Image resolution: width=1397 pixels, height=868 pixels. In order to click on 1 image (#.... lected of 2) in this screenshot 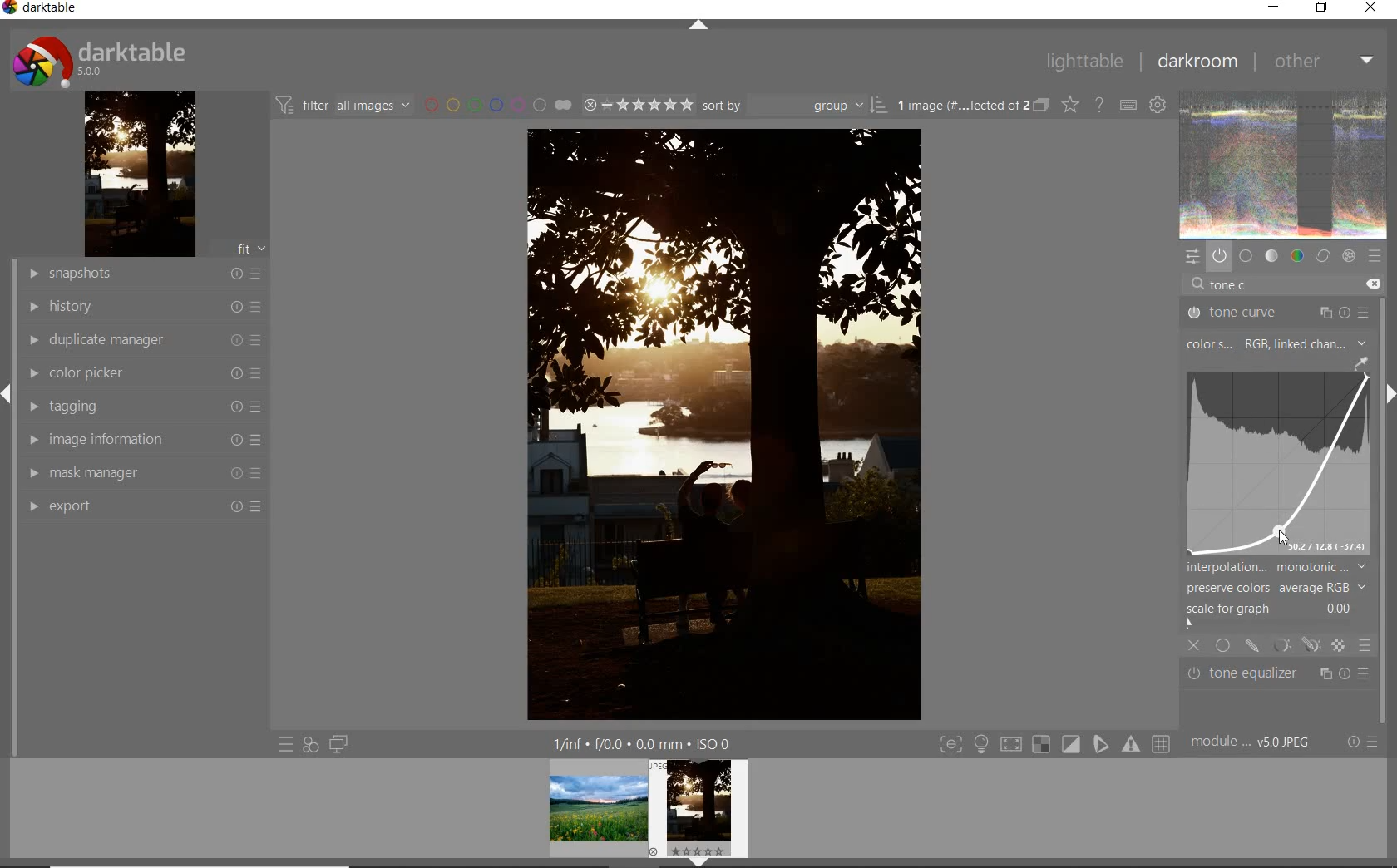, I will do `click(971, 105)`.